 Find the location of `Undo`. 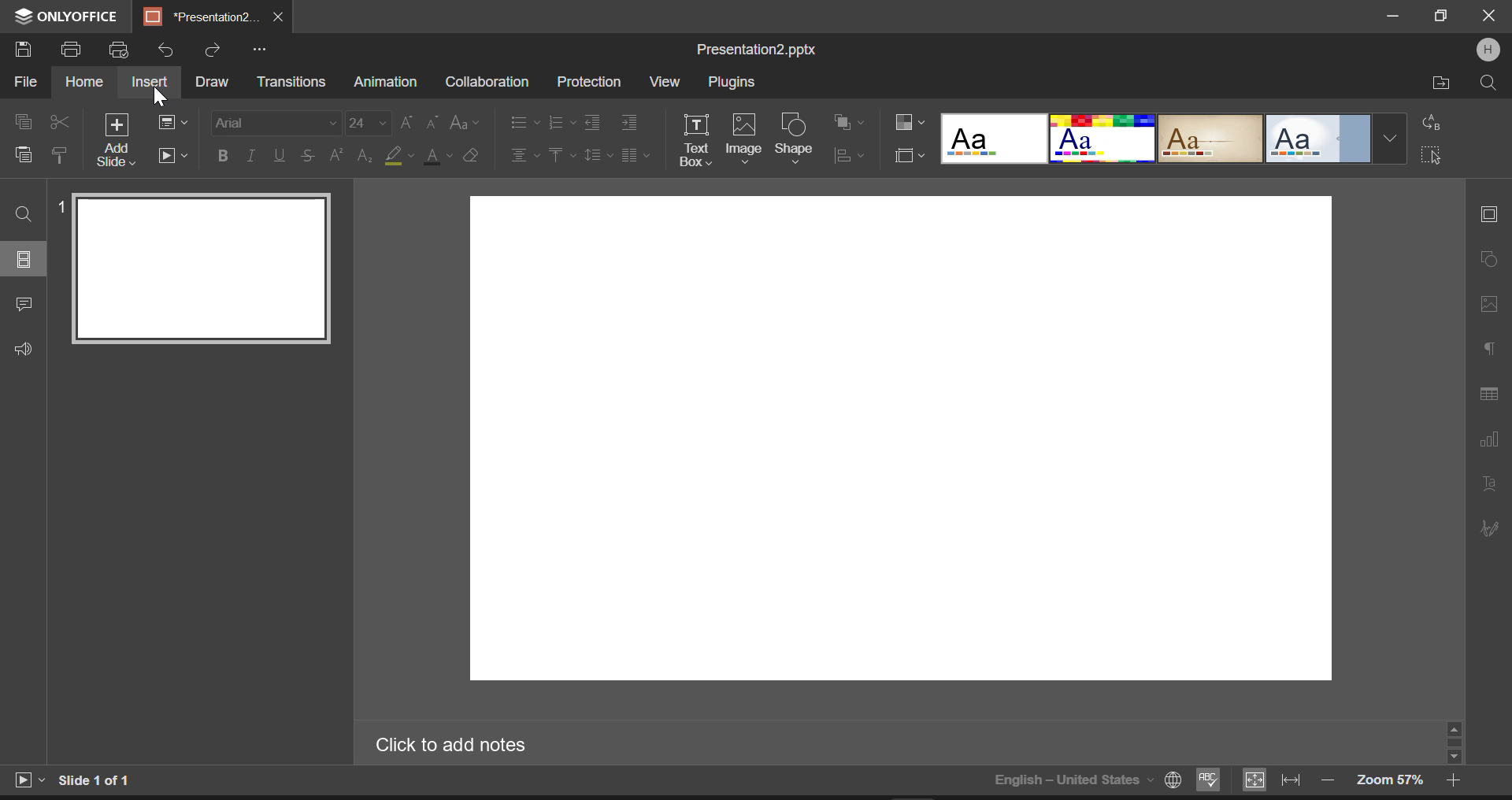

Undo is located at coordinates (166, 46).